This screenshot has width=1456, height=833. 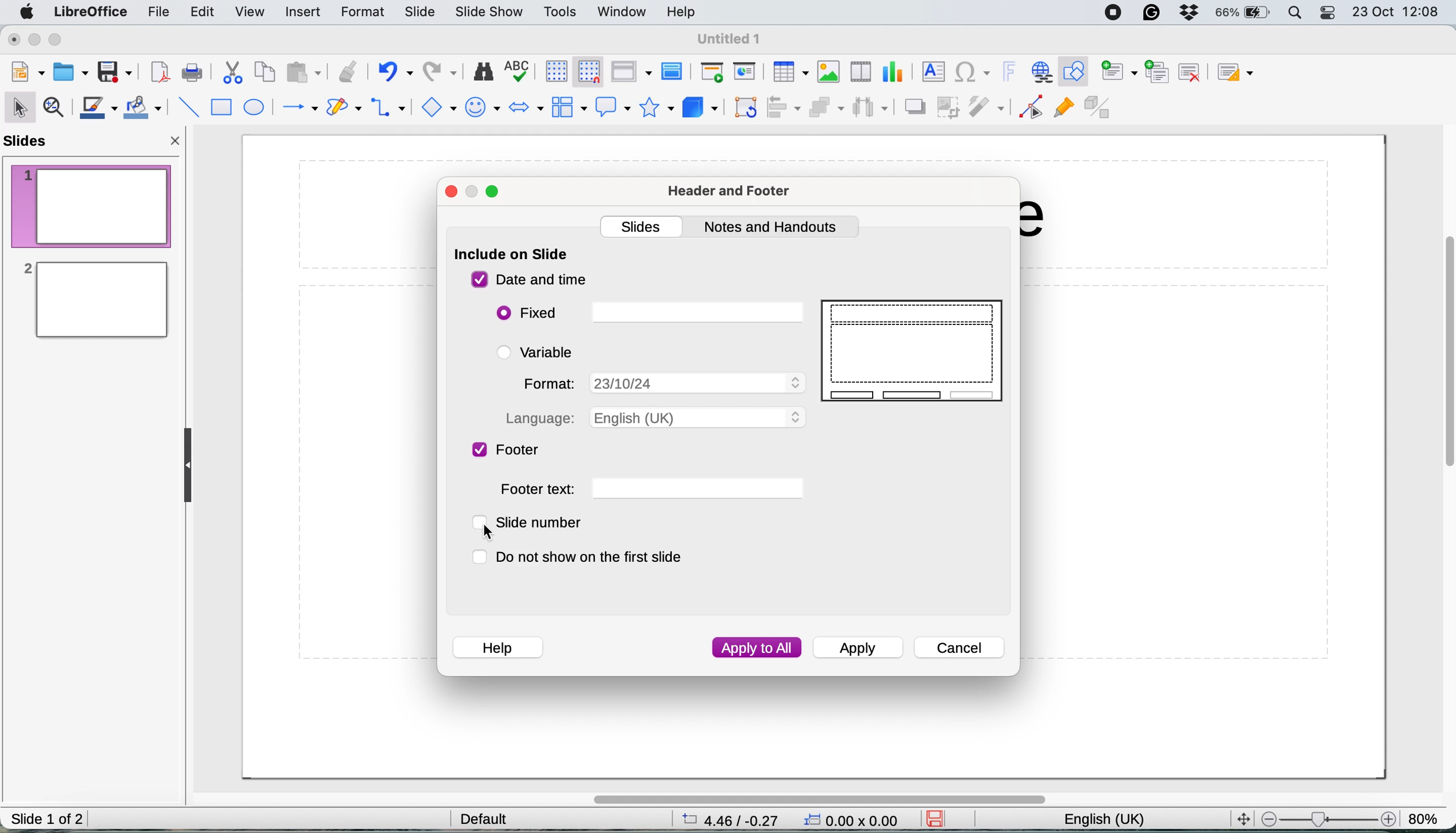 I want to click on insert special character, so click(x=973, y=73).